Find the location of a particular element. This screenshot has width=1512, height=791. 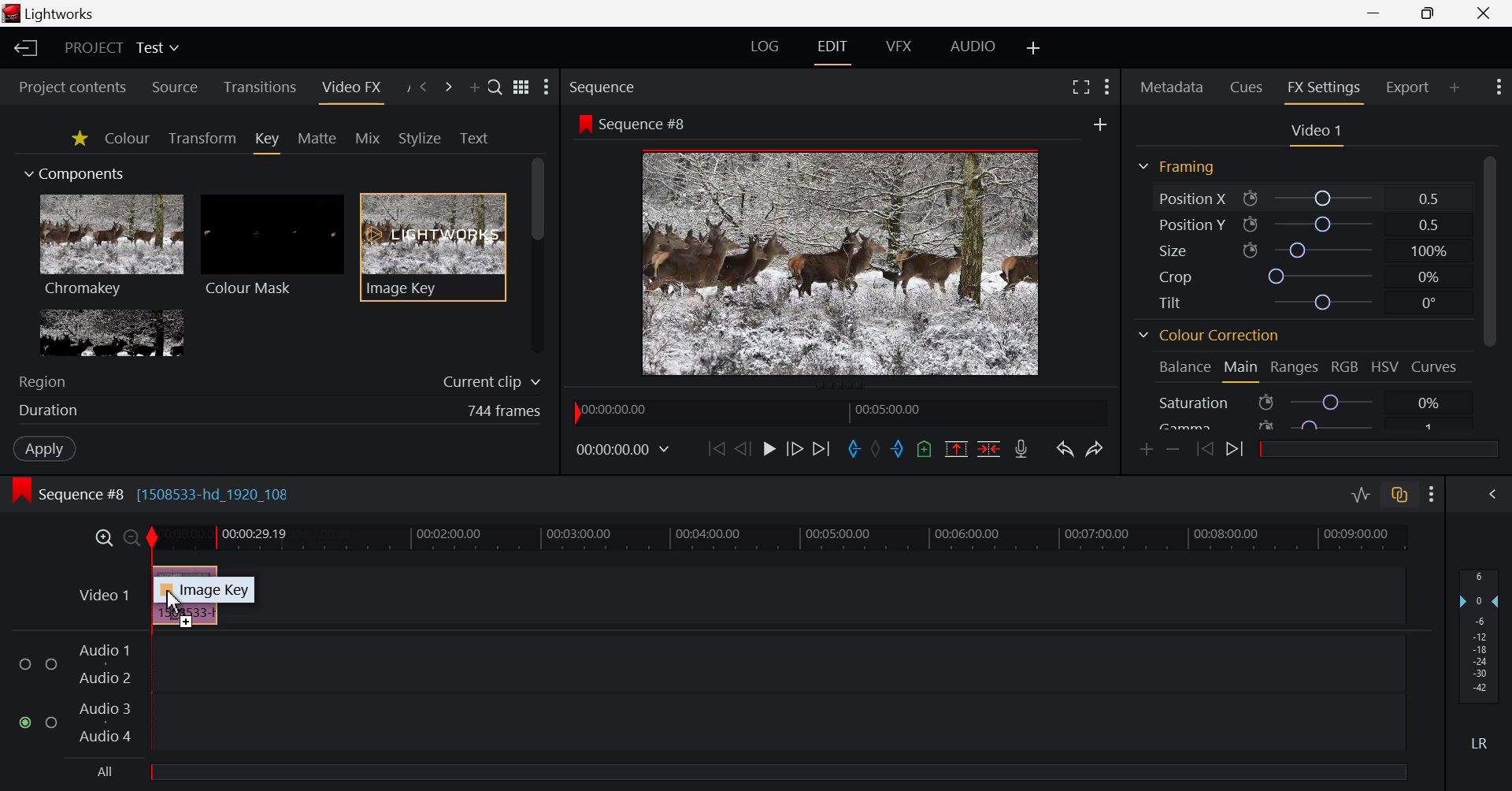

Decibel Level is located at coordinates (1480, 658).